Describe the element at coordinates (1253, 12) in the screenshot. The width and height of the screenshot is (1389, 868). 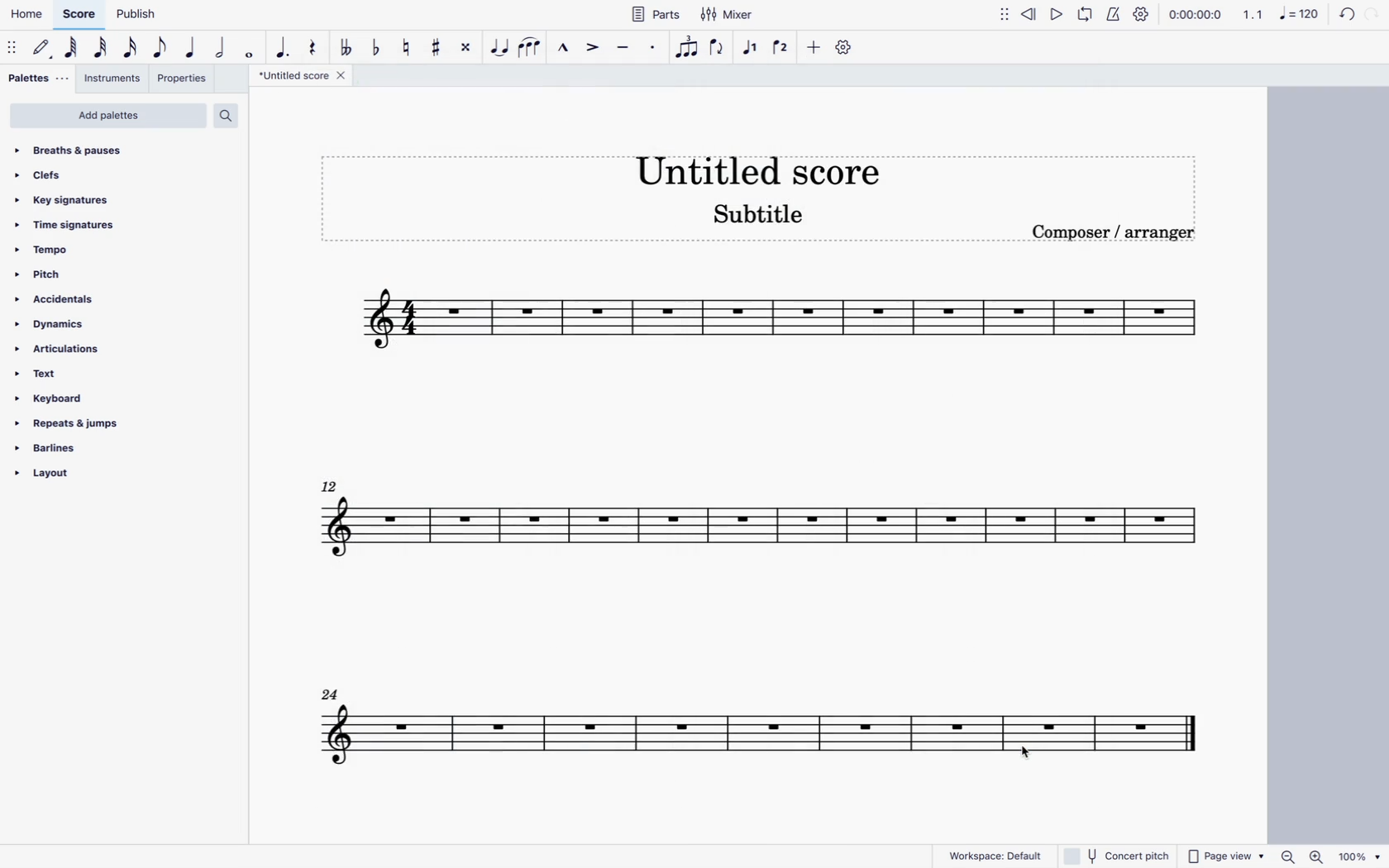
I see `1,1` at that location.